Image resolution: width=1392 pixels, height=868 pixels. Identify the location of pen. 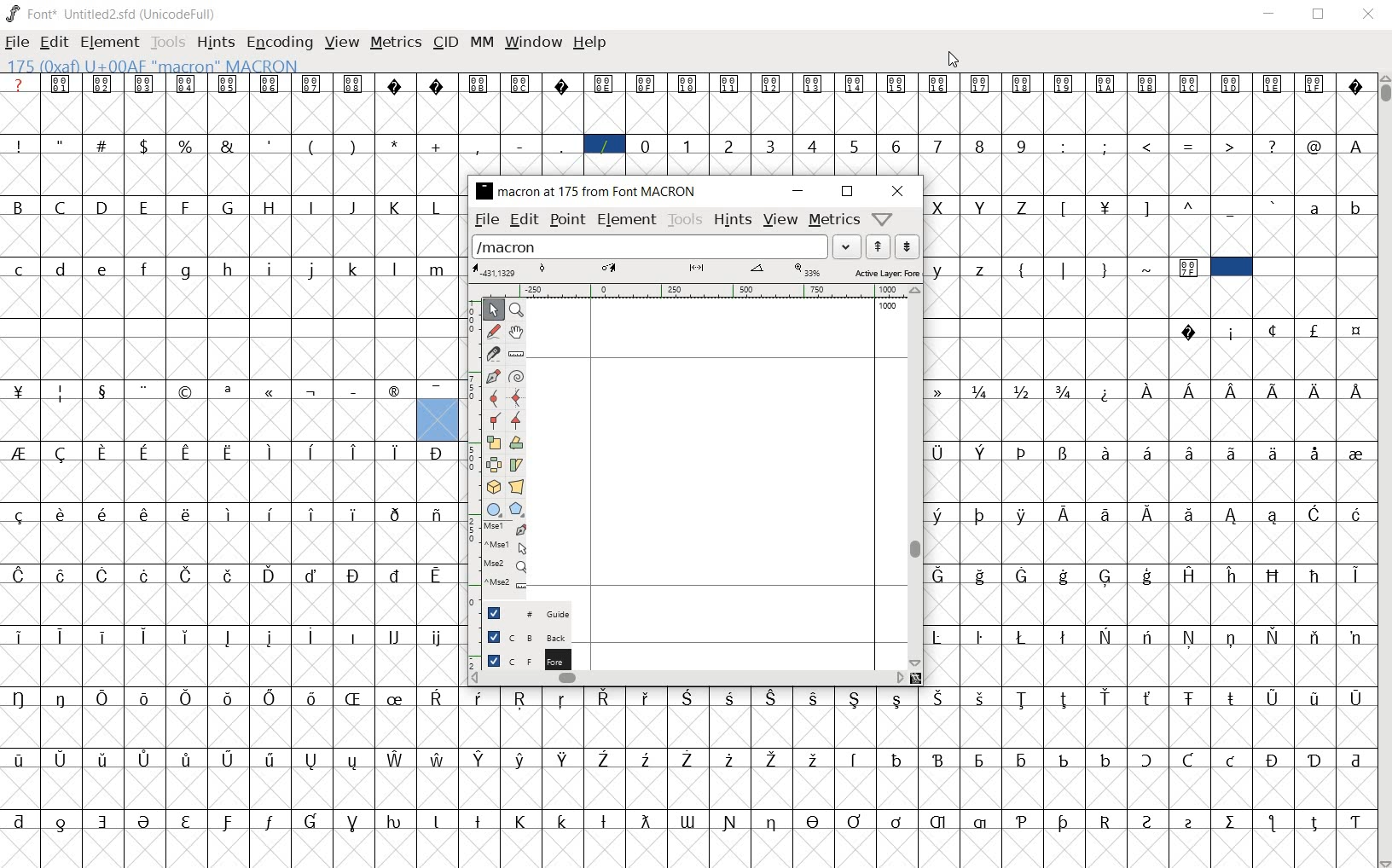
(492, 376).